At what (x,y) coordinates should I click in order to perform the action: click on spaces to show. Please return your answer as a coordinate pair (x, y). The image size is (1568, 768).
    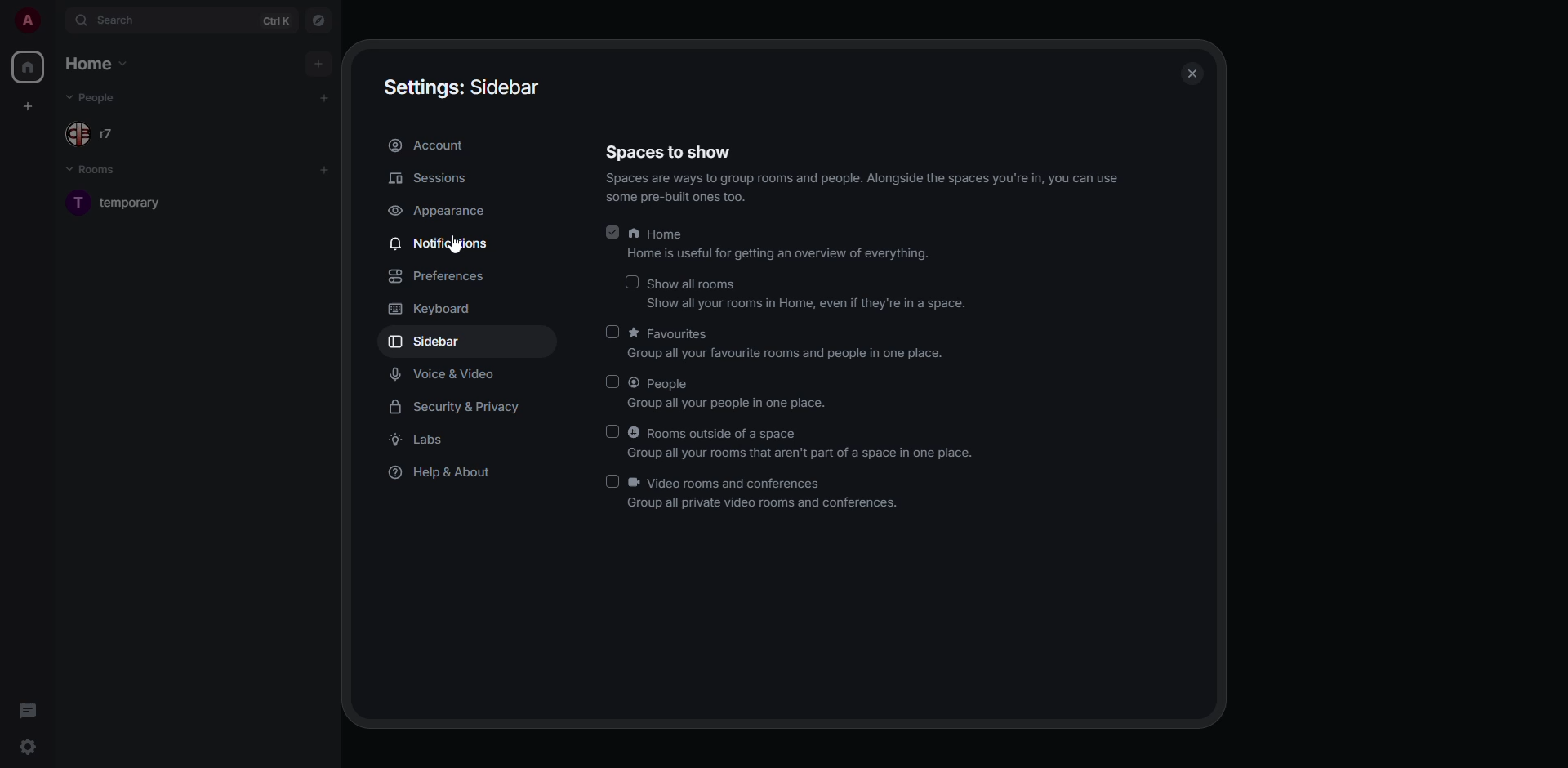
    Looking at the image, I should click on (669, 154).